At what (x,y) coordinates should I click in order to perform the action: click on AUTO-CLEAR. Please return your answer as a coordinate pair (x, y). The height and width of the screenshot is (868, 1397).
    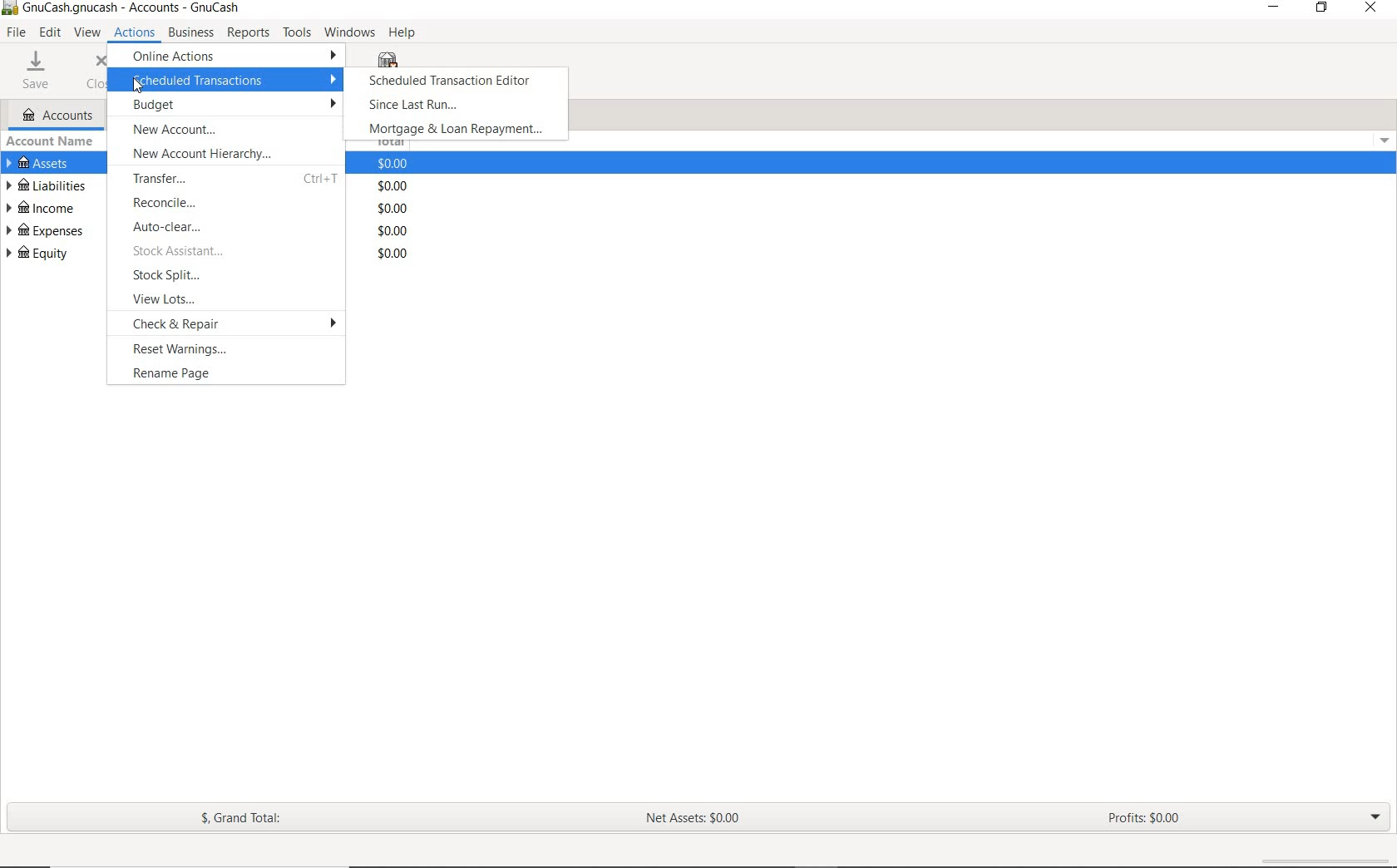
    Looking at the image, I should click on (233, 228).